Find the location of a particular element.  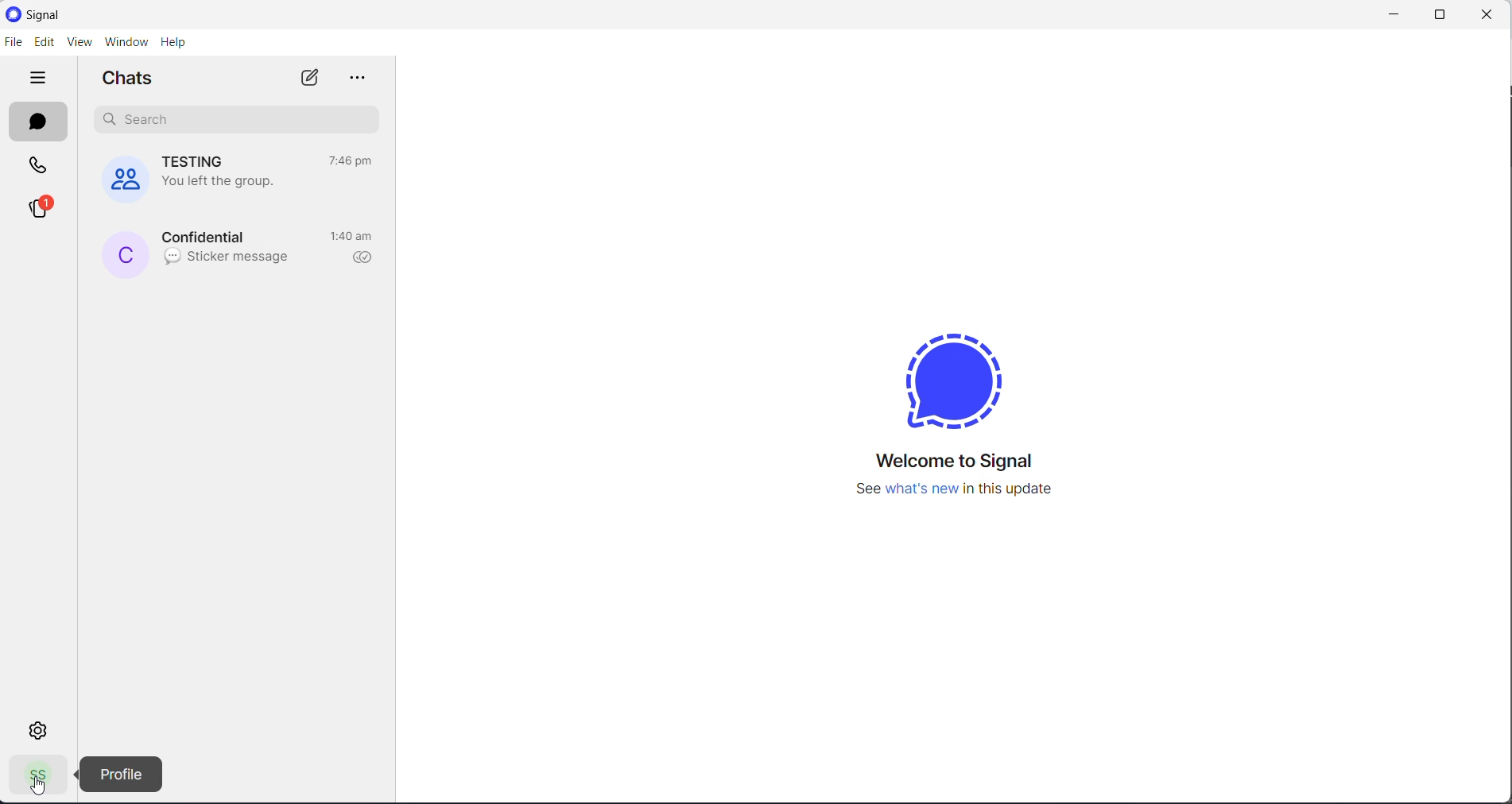

profile is located at coordinates (122, 774).